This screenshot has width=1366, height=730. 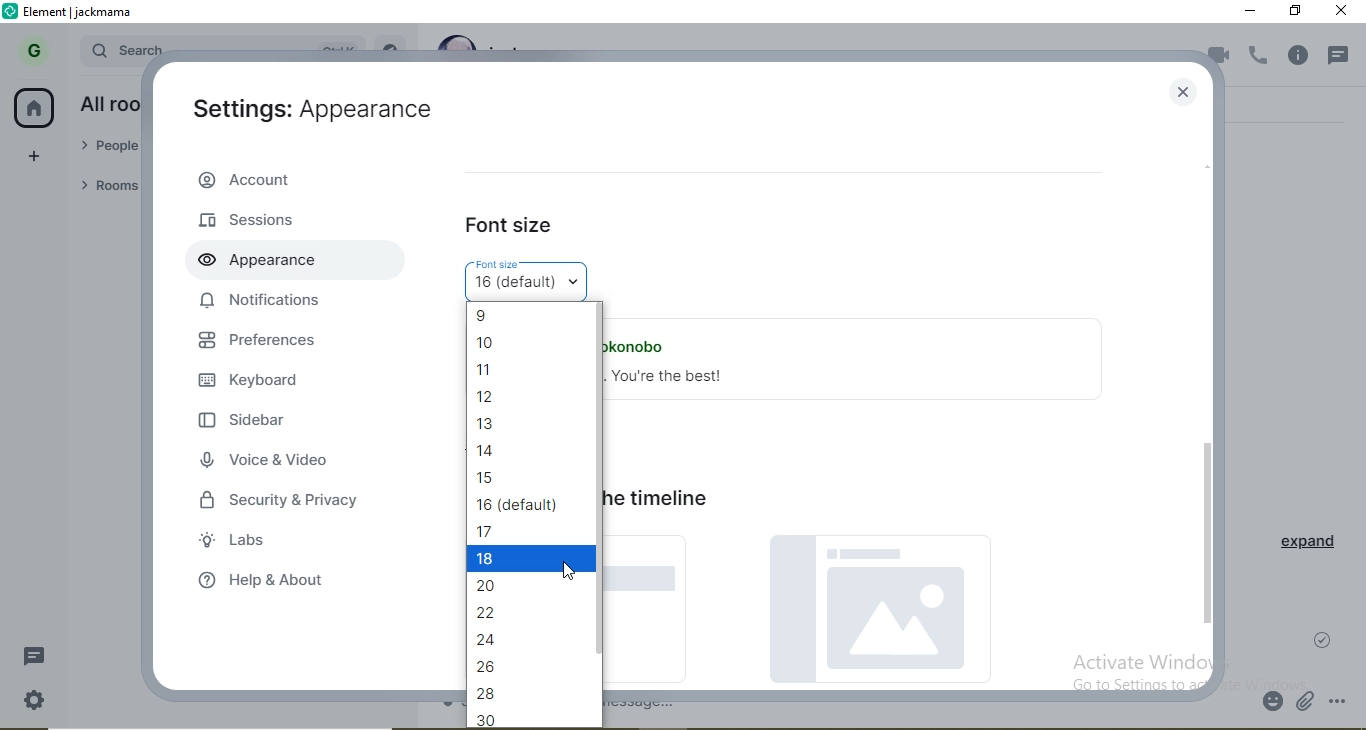 I want to click on 16 (default), so click(x=526, y=502).